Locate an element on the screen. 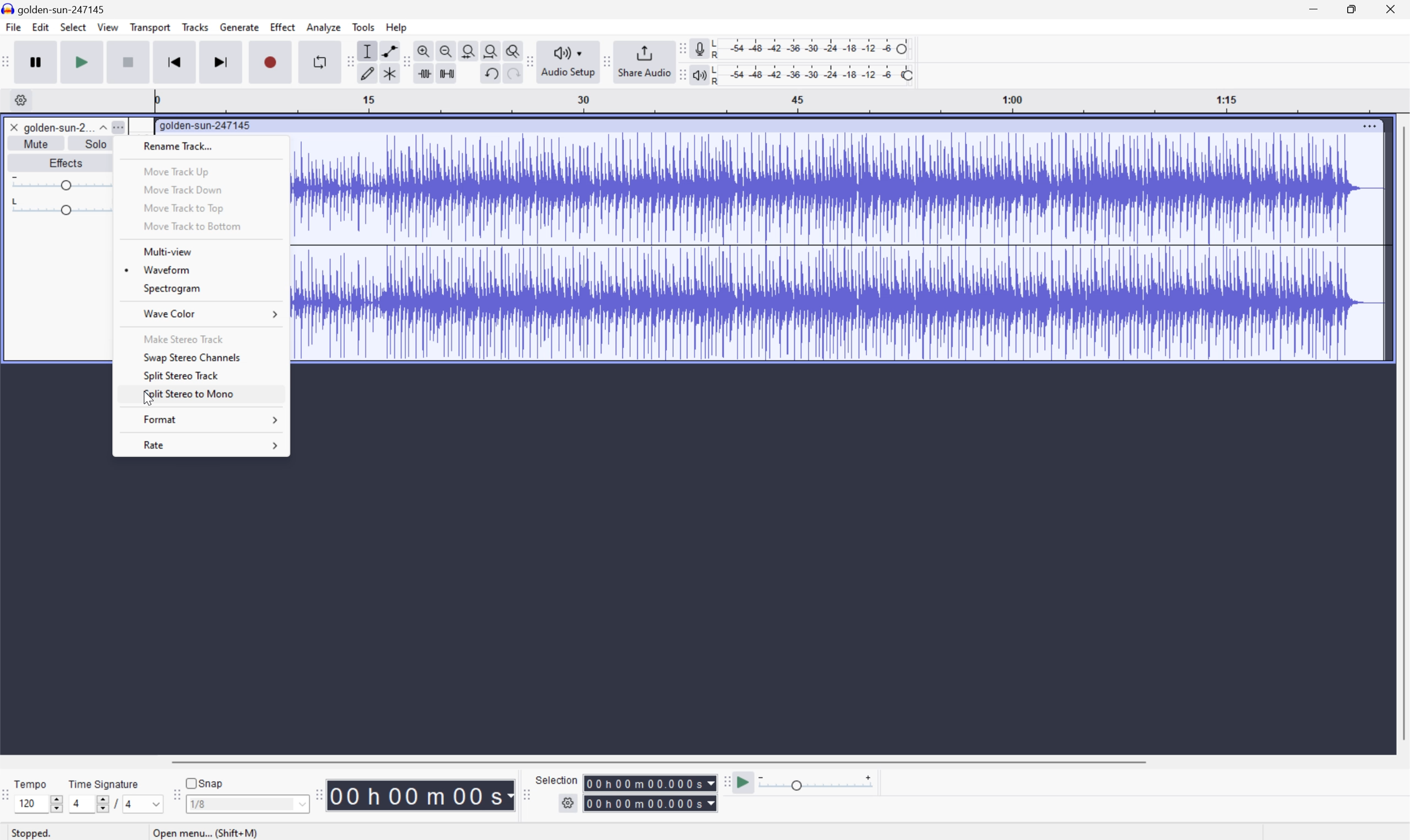 This screenshot has height=840, width=1410. Drop Down is located at coordinates (277, 317).